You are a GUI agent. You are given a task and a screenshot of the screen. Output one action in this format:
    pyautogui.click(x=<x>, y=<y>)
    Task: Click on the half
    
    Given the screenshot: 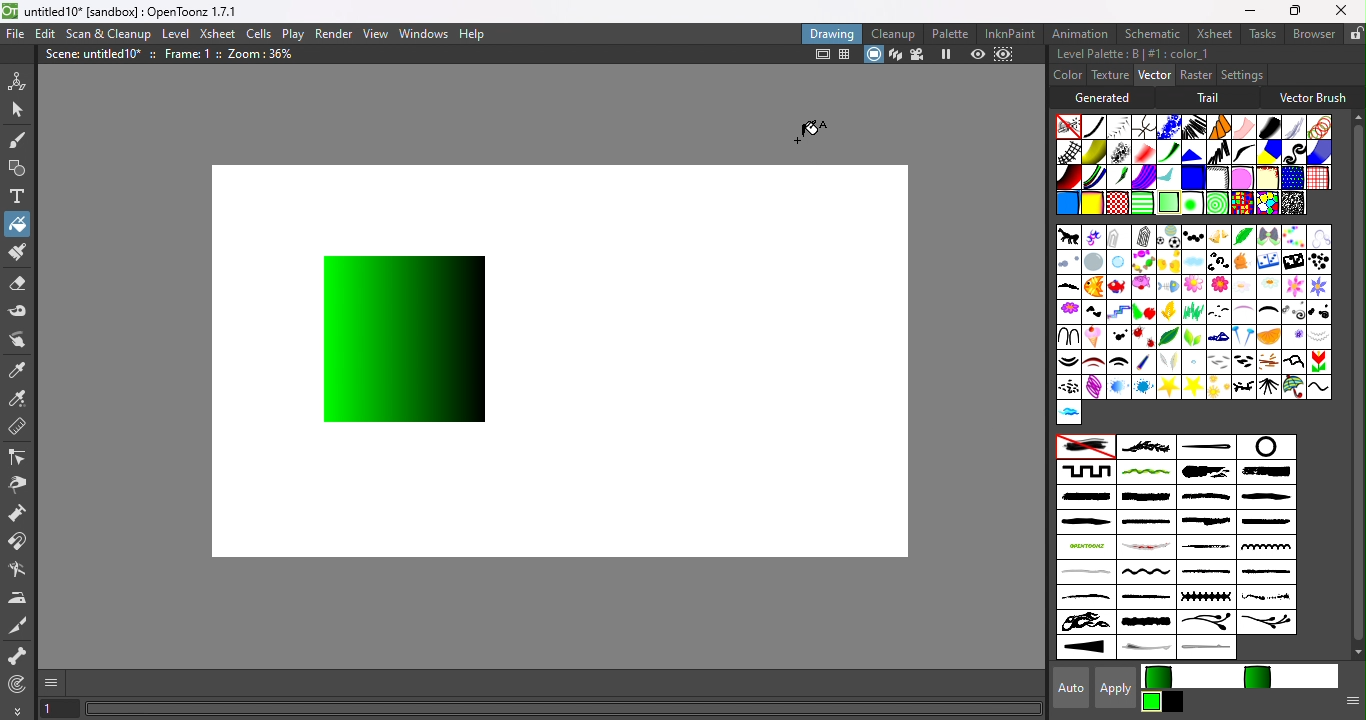 What is the action you would take?
    pyautogui.click(x=1242, y=312)
    